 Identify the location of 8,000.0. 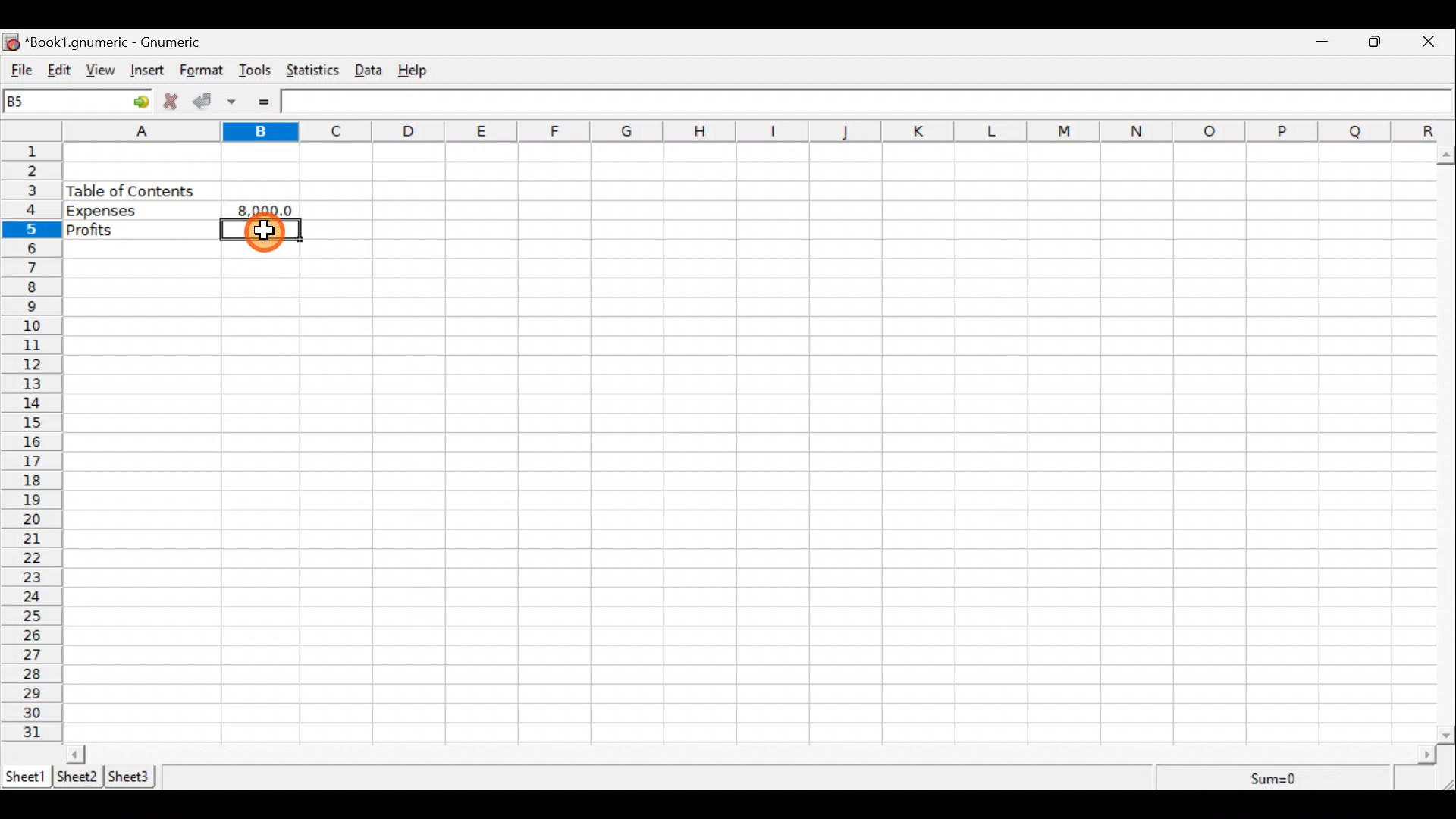
(264, 209).